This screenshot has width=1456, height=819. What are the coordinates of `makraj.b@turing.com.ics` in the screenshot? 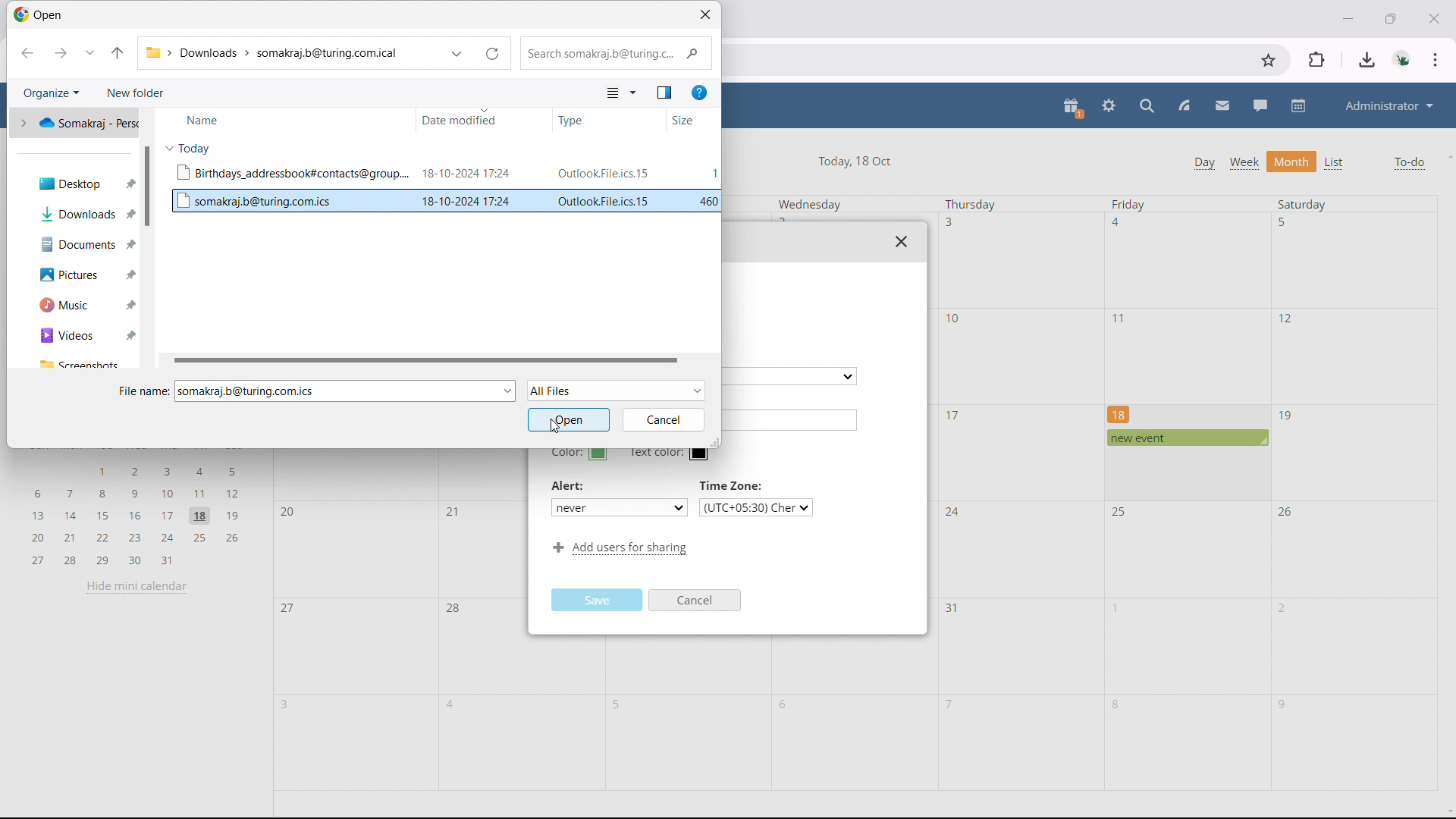 It's located at (249, 391).